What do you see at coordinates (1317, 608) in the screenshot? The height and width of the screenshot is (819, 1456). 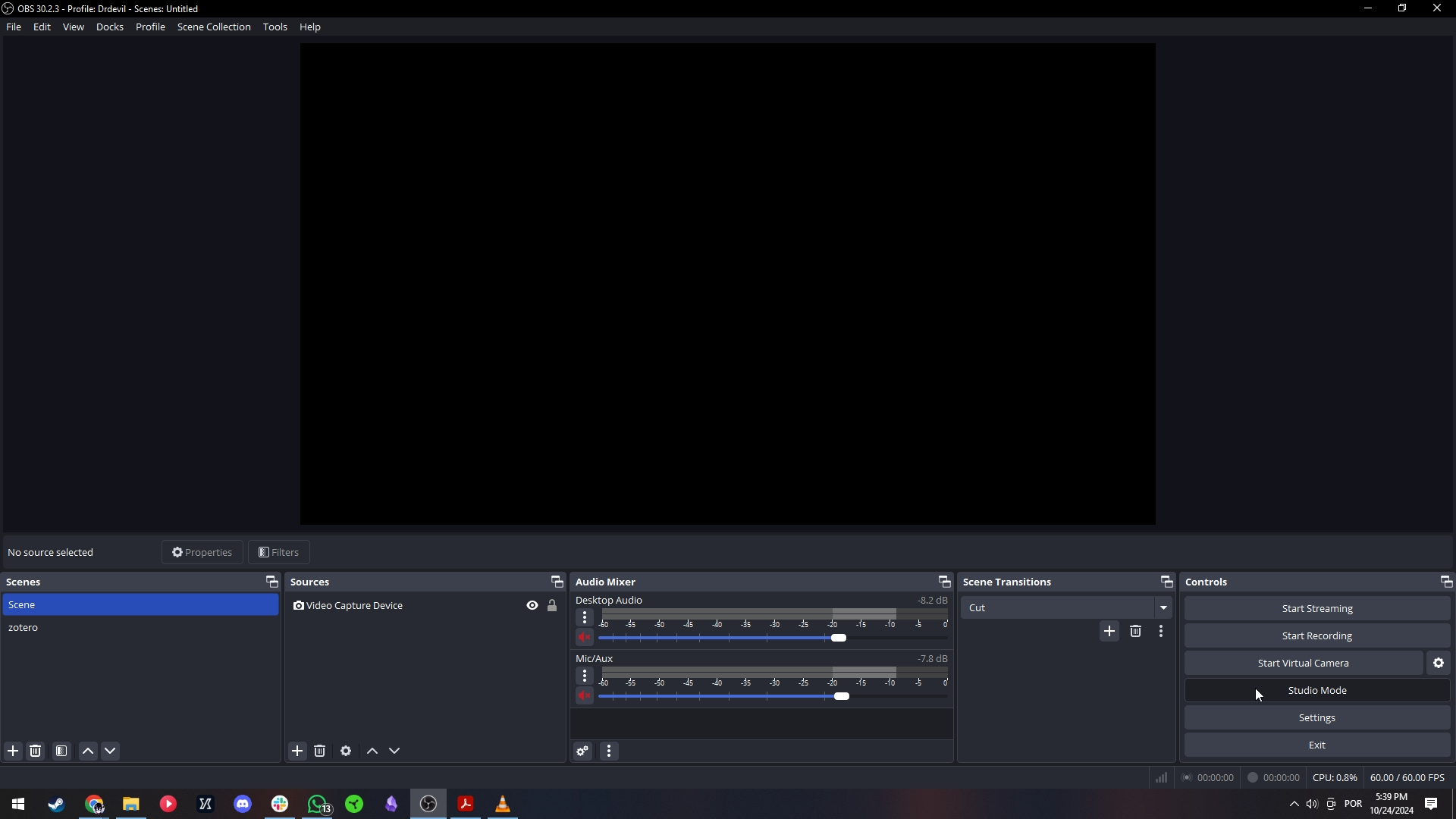 I see `Start streaming` at bounding box center [1317, 608].